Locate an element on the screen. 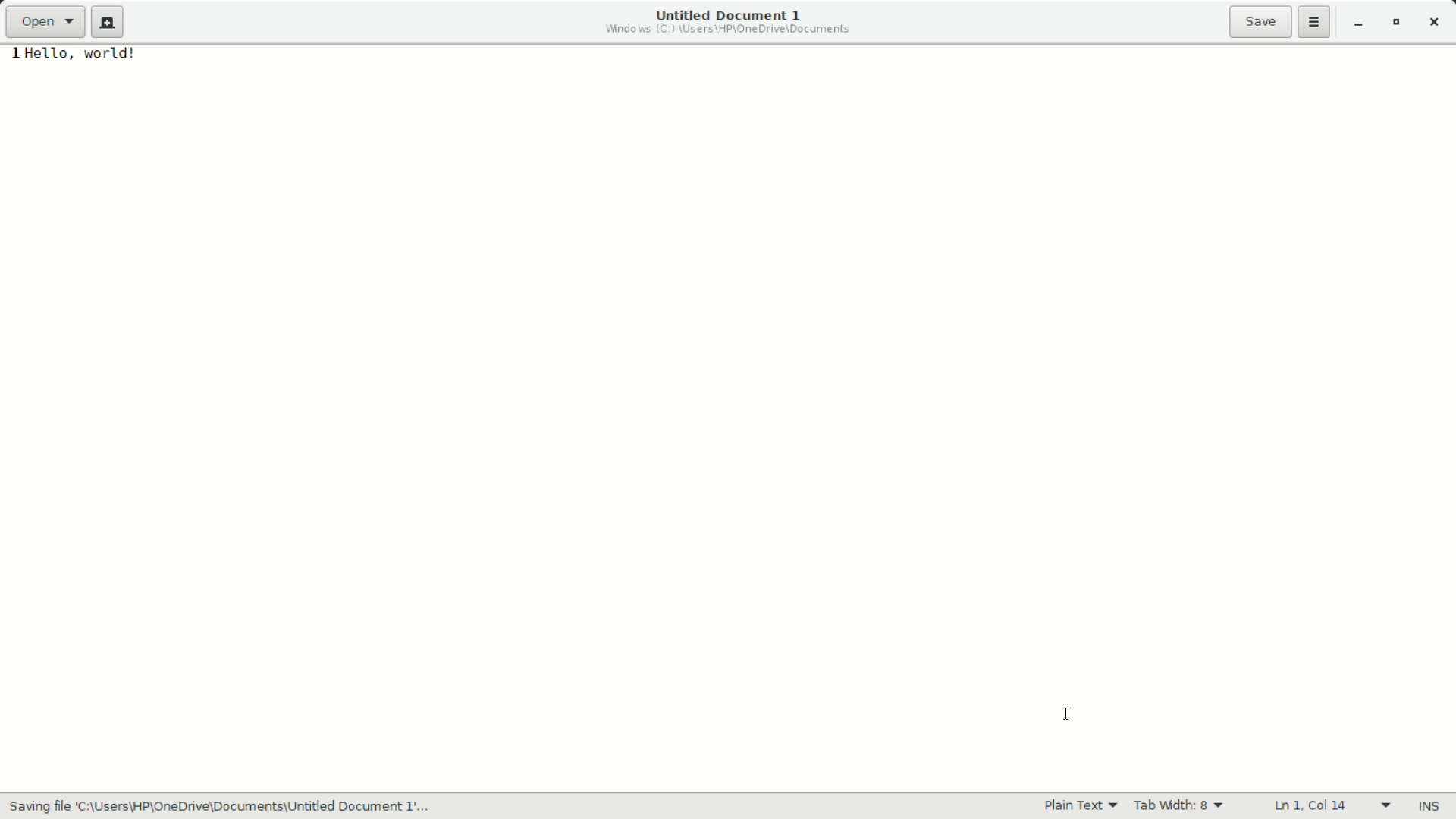 The width and height of the screenshot is (1456, 819). more options is located at coordinates (1314, 22).